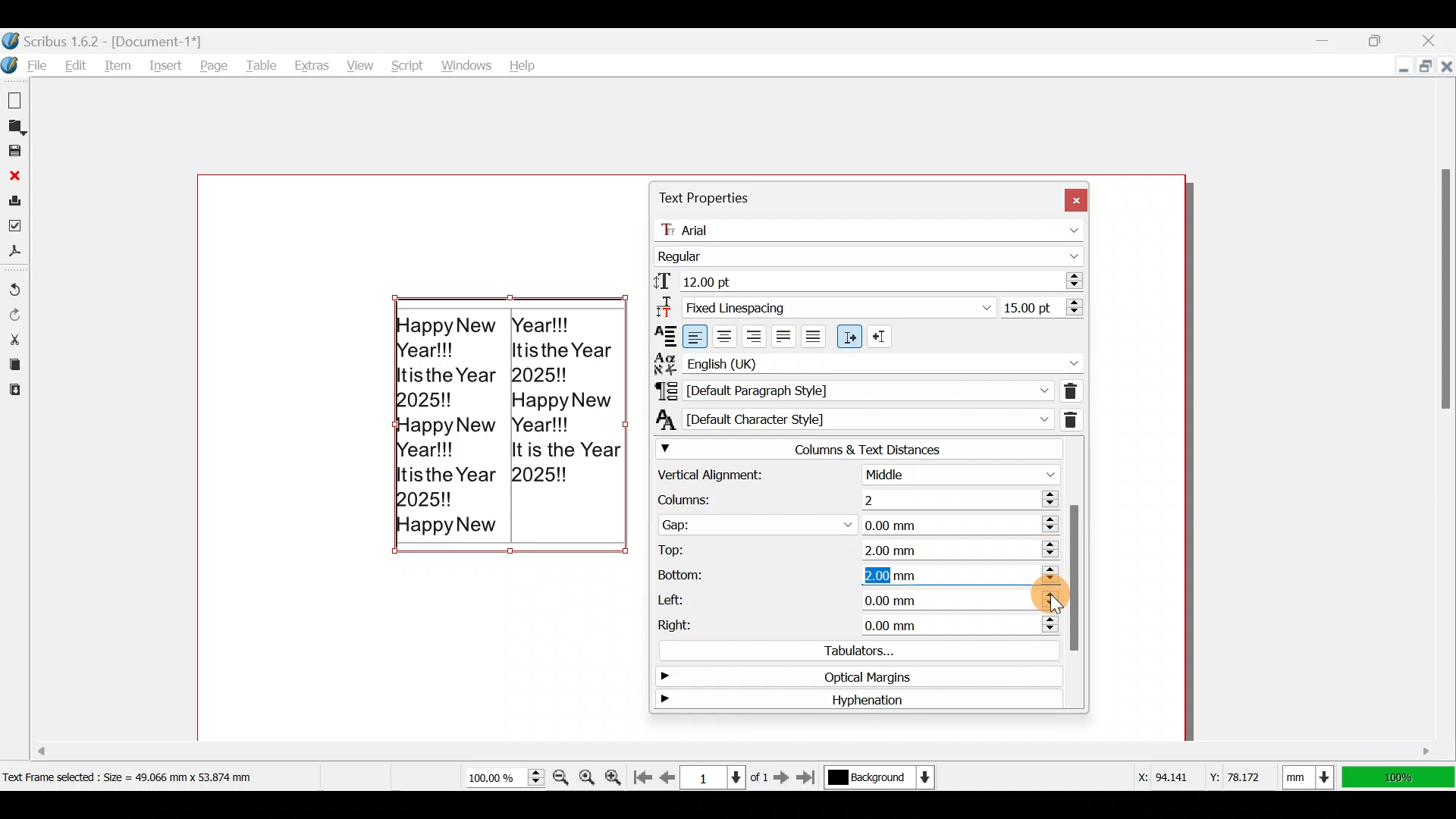  Describe the element at coordinates (559, 777) in the screenshot. I see `Zoom out by the stepping value in tools preferences` at that location.